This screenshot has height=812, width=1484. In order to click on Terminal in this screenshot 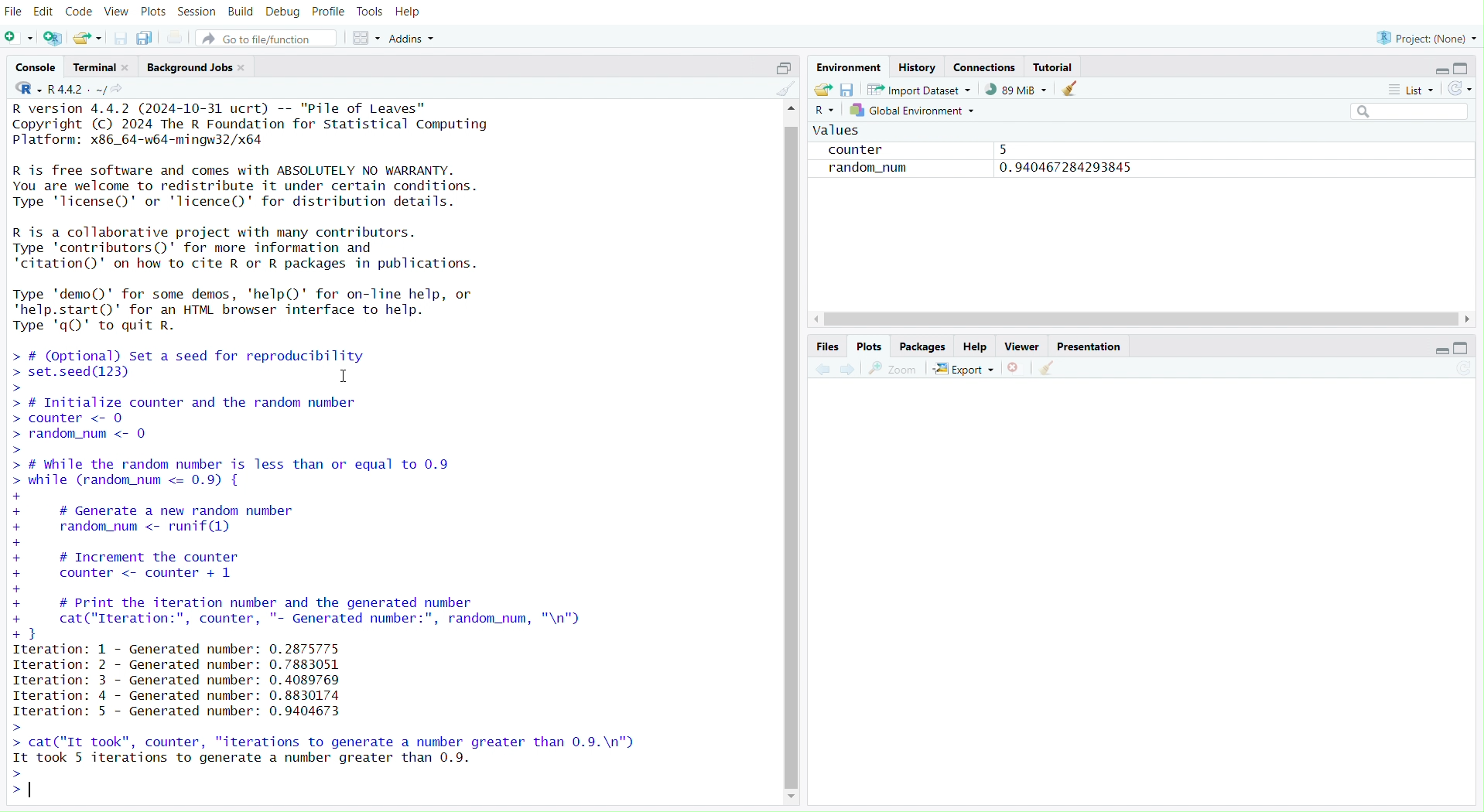, I will do `click(97, 69)`.